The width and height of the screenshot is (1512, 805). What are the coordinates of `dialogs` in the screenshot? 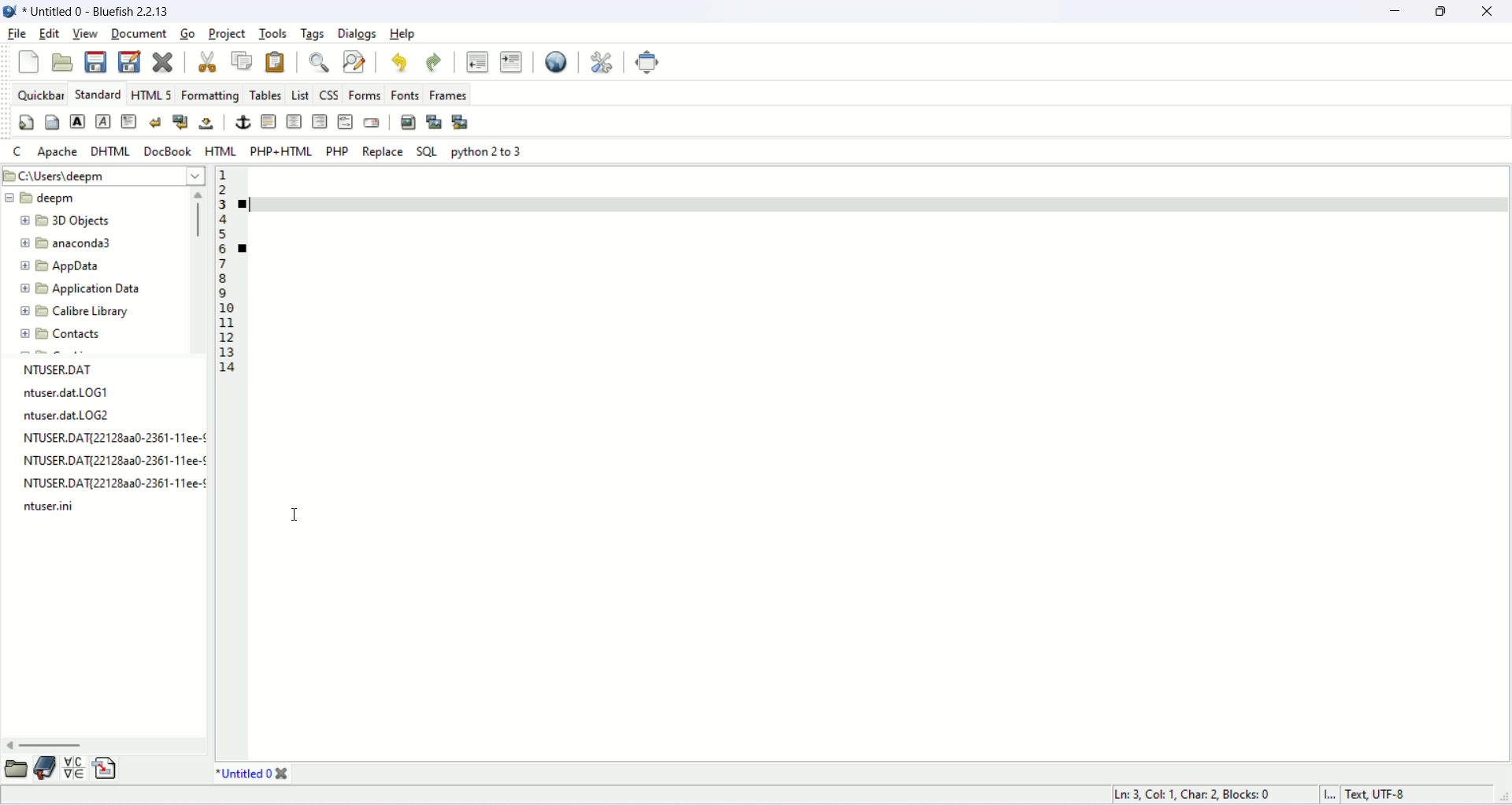 It's located at (359, 33).